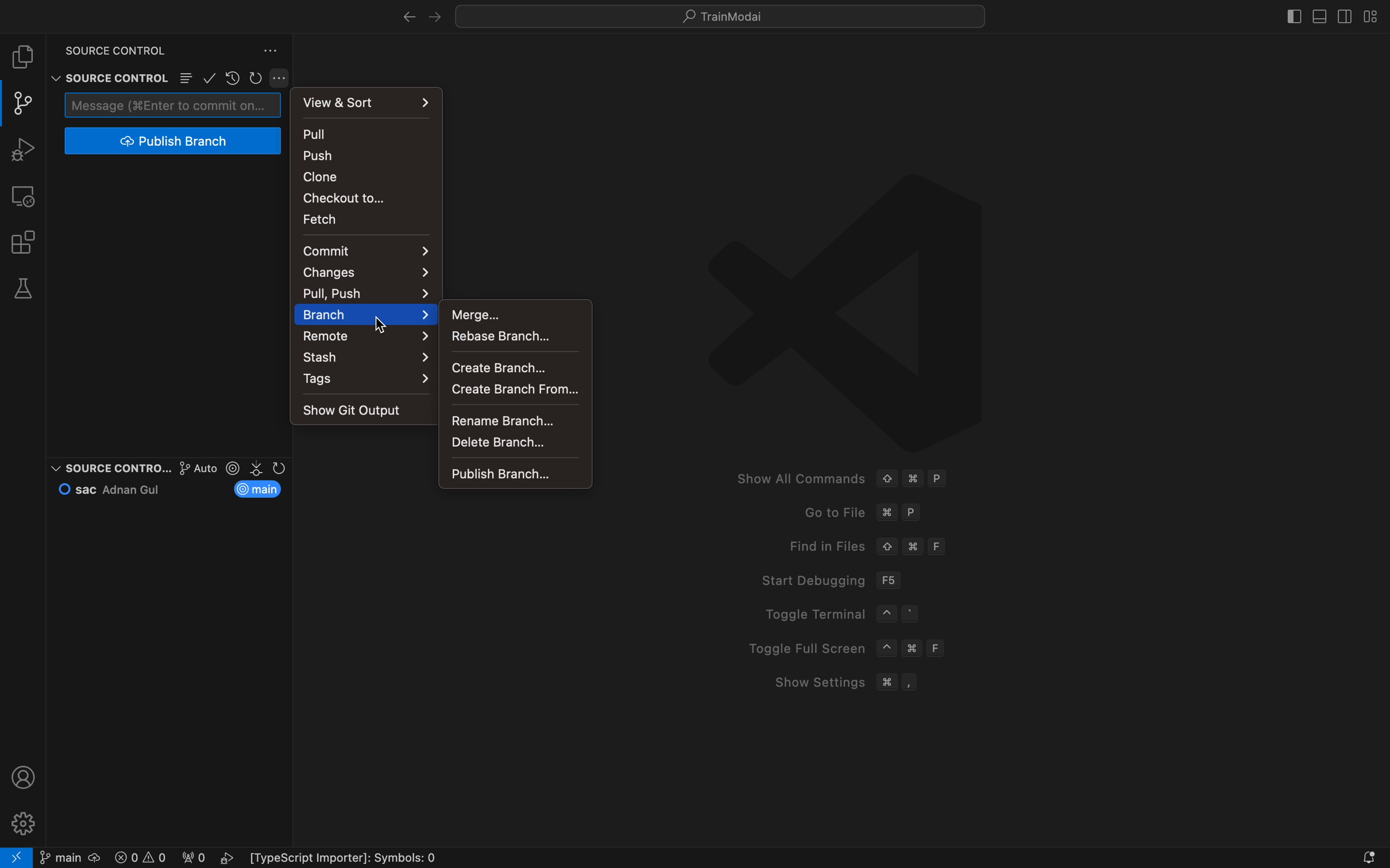 The height and width of the screenshot is (868, 1390). I want to click on extensions, so click(25, 242).